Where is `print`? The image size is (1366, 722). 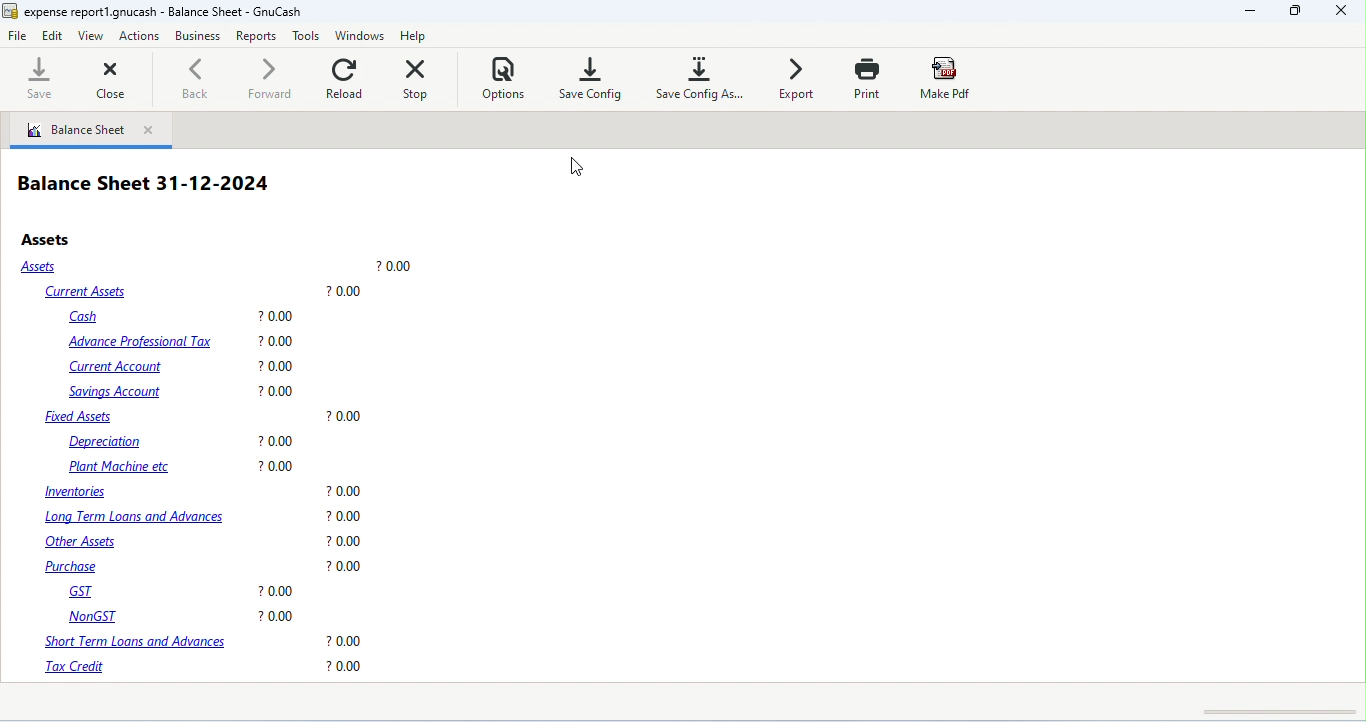 print is located at coordinates (867, 78).